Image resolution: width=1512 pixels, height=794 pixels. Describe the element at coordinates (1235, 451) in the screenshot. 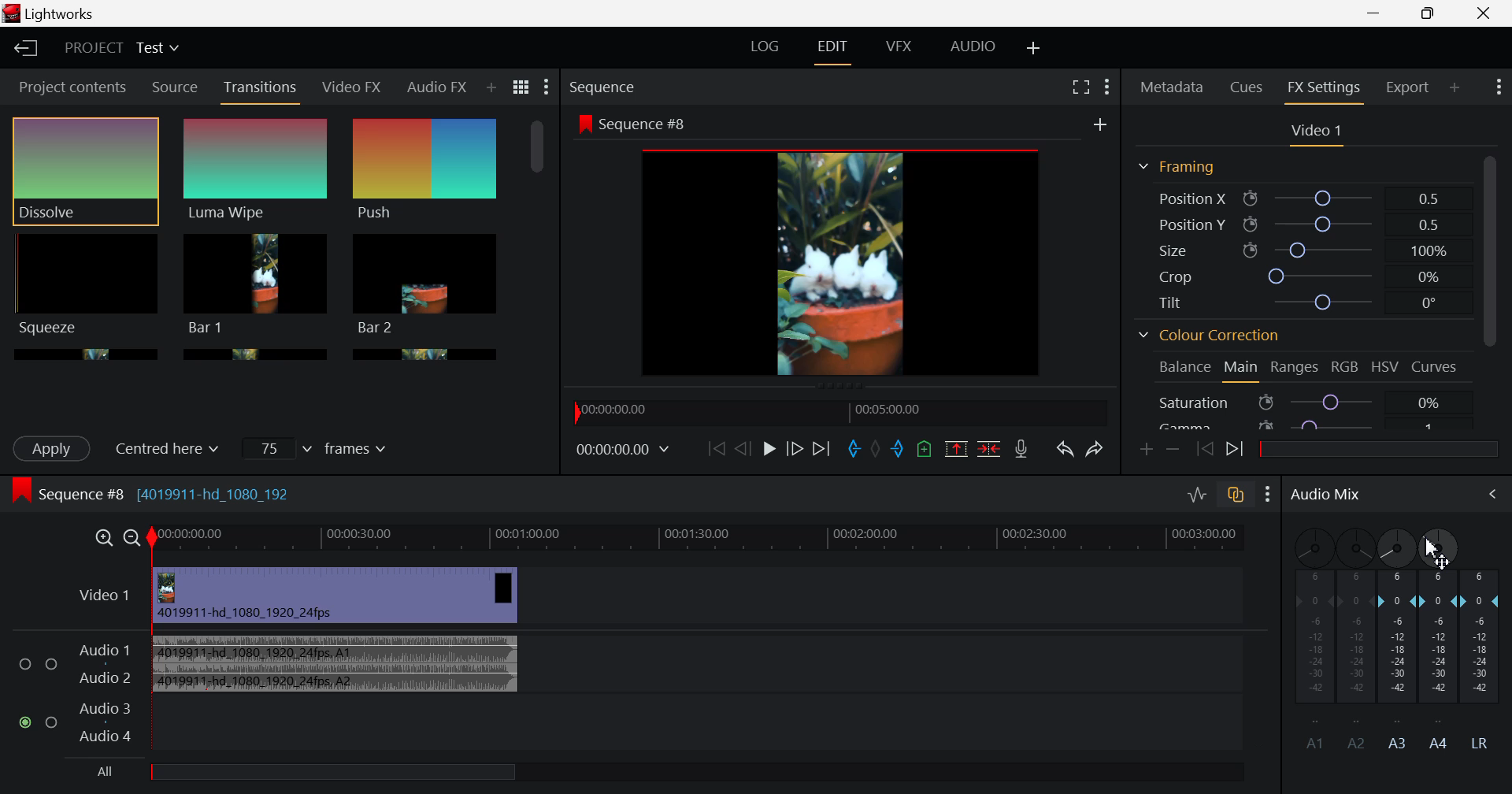

I see `Next keyframe` at that location.